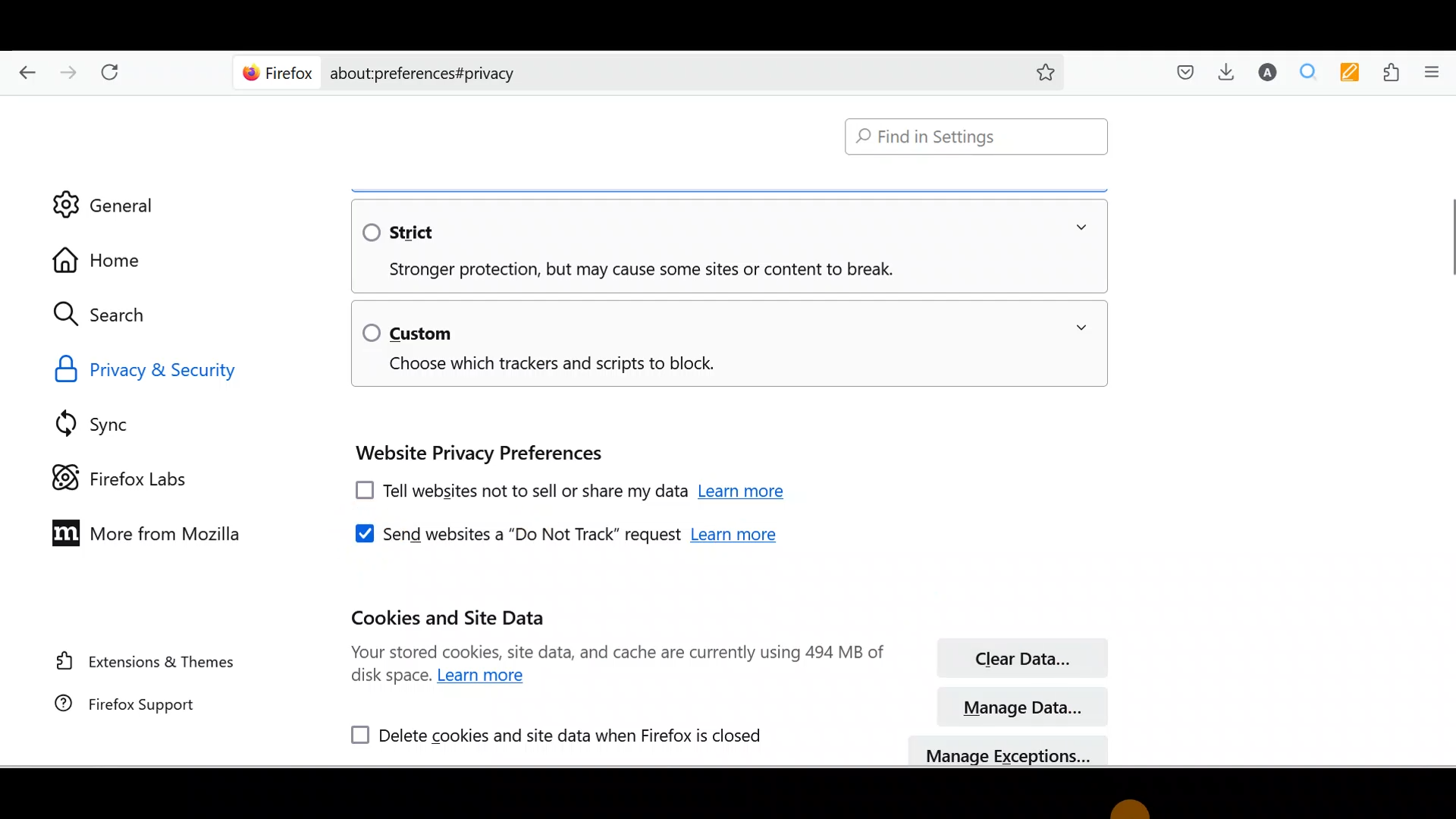  Describe the element at coordinates (548, 733) in the screenshot. I see `Delete cookies and site data when Firefox is closed` at that location.